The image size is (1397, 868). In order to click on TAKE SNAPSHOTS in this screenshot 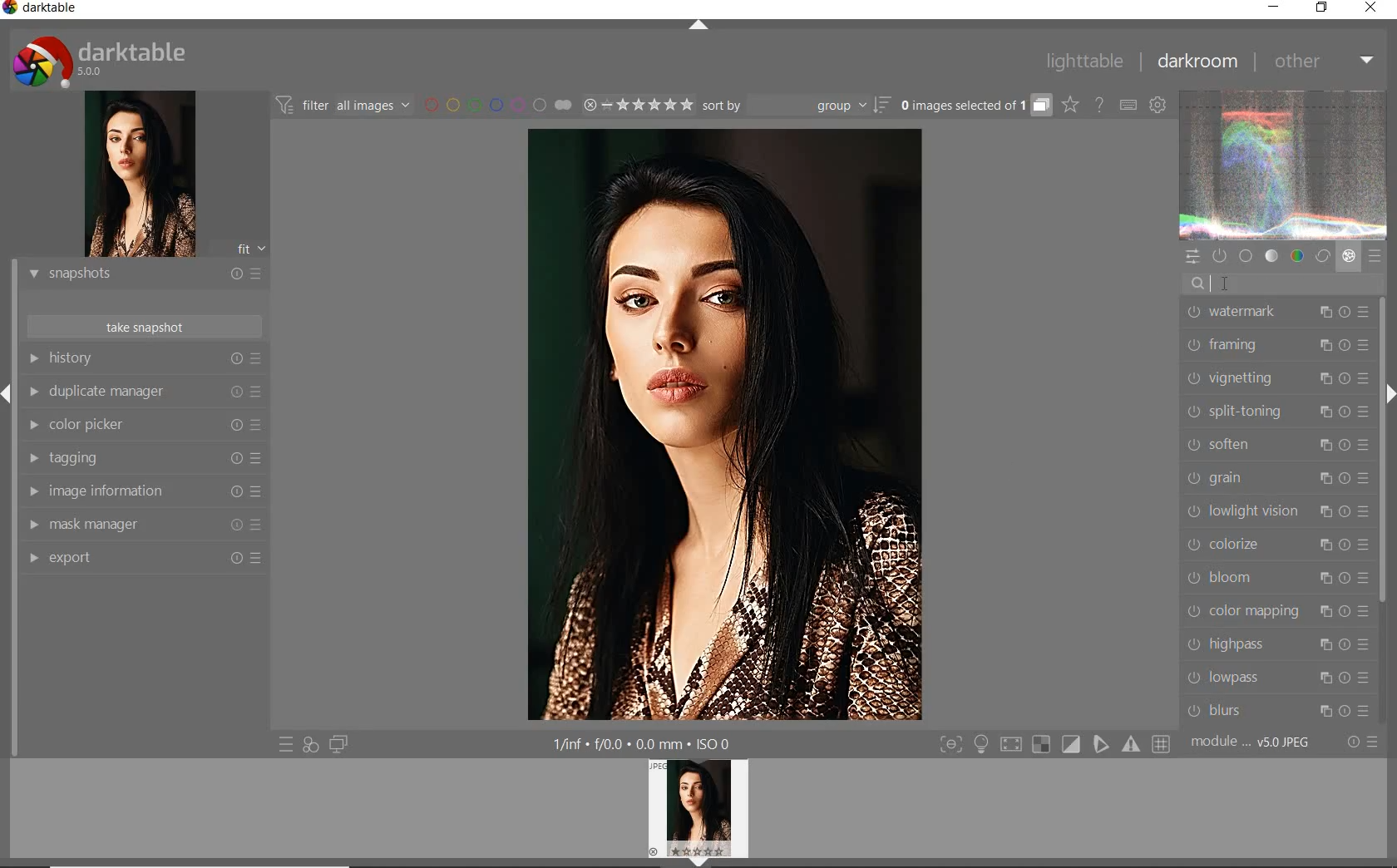, I will do `click(146, 326)`.